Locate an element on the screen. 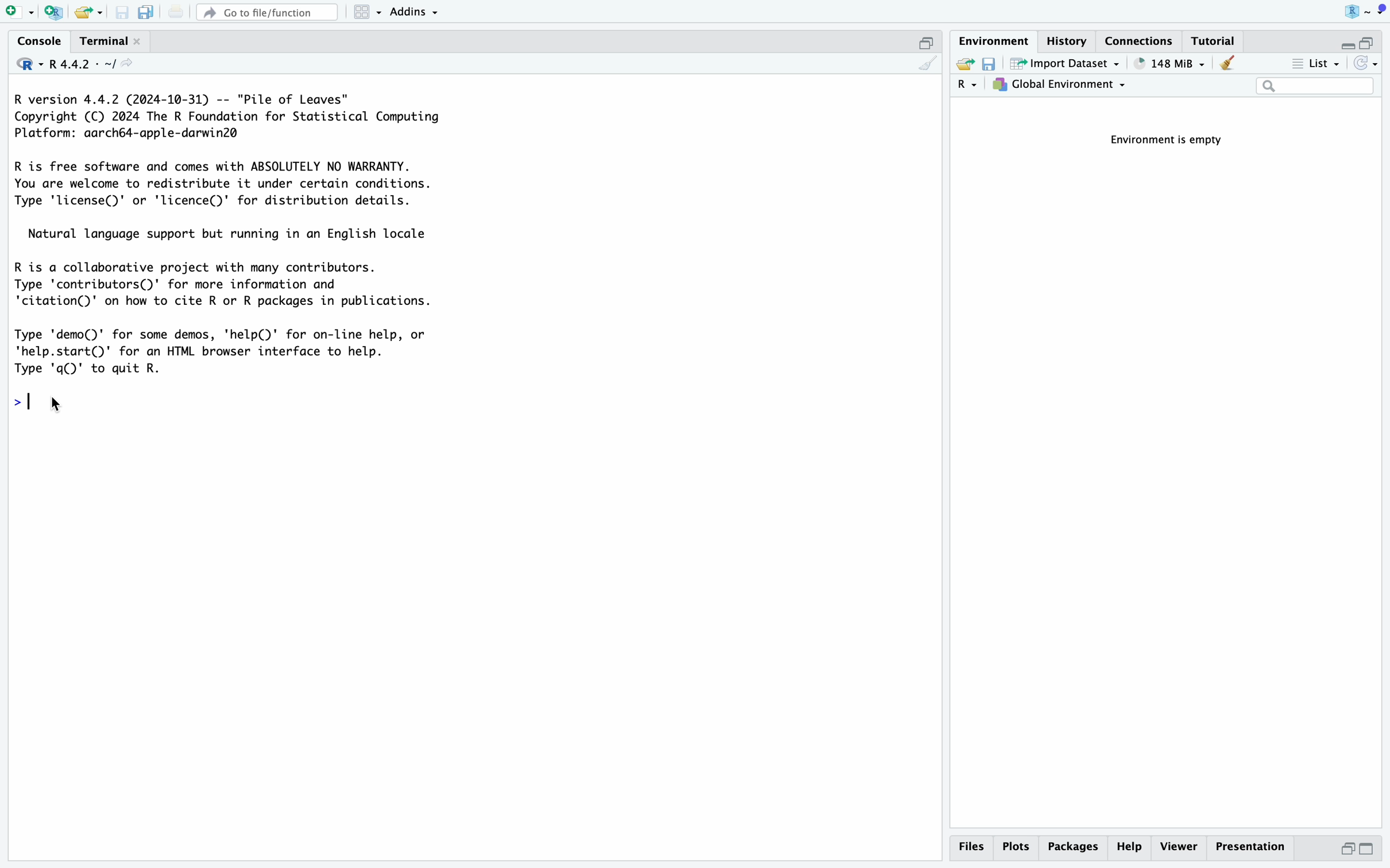  description of contributors is located at coordinates (226, 281).